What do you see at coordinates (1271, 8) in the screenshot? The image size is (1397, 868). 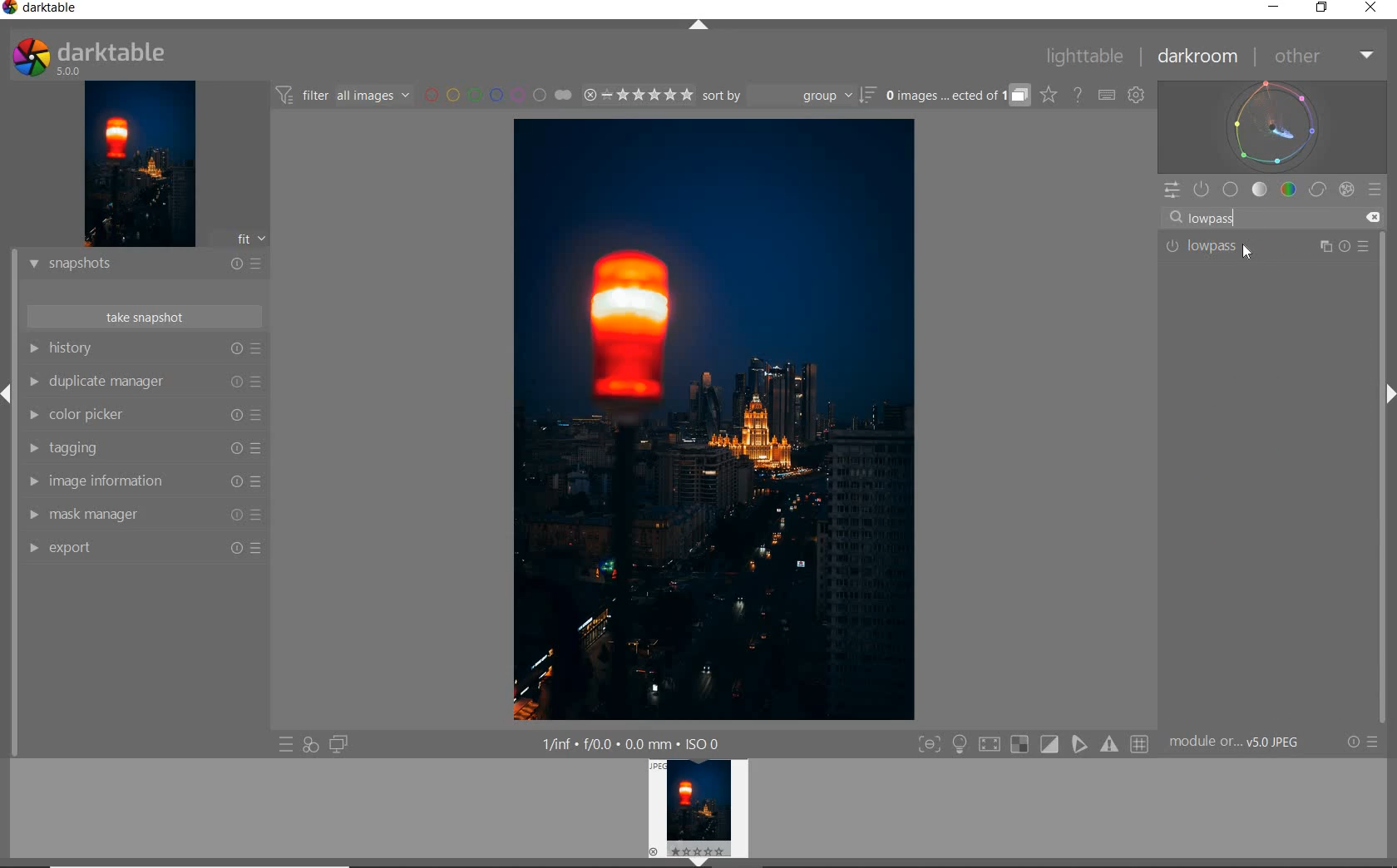 I see `MINIMIZE` at bounding box center [1271, 8].